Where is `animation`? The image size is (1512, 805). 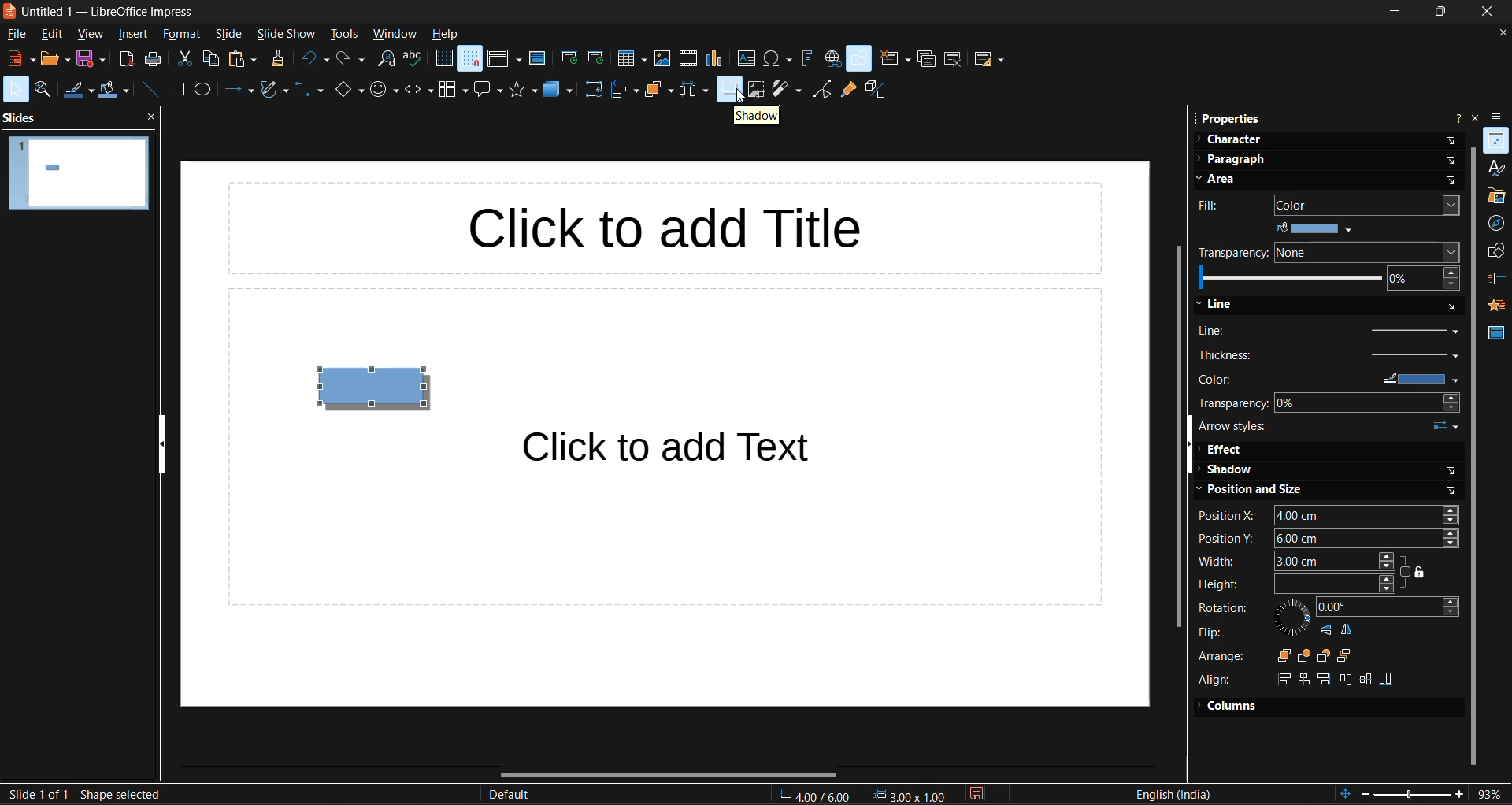 animation is located at coordinates (1497, 302).